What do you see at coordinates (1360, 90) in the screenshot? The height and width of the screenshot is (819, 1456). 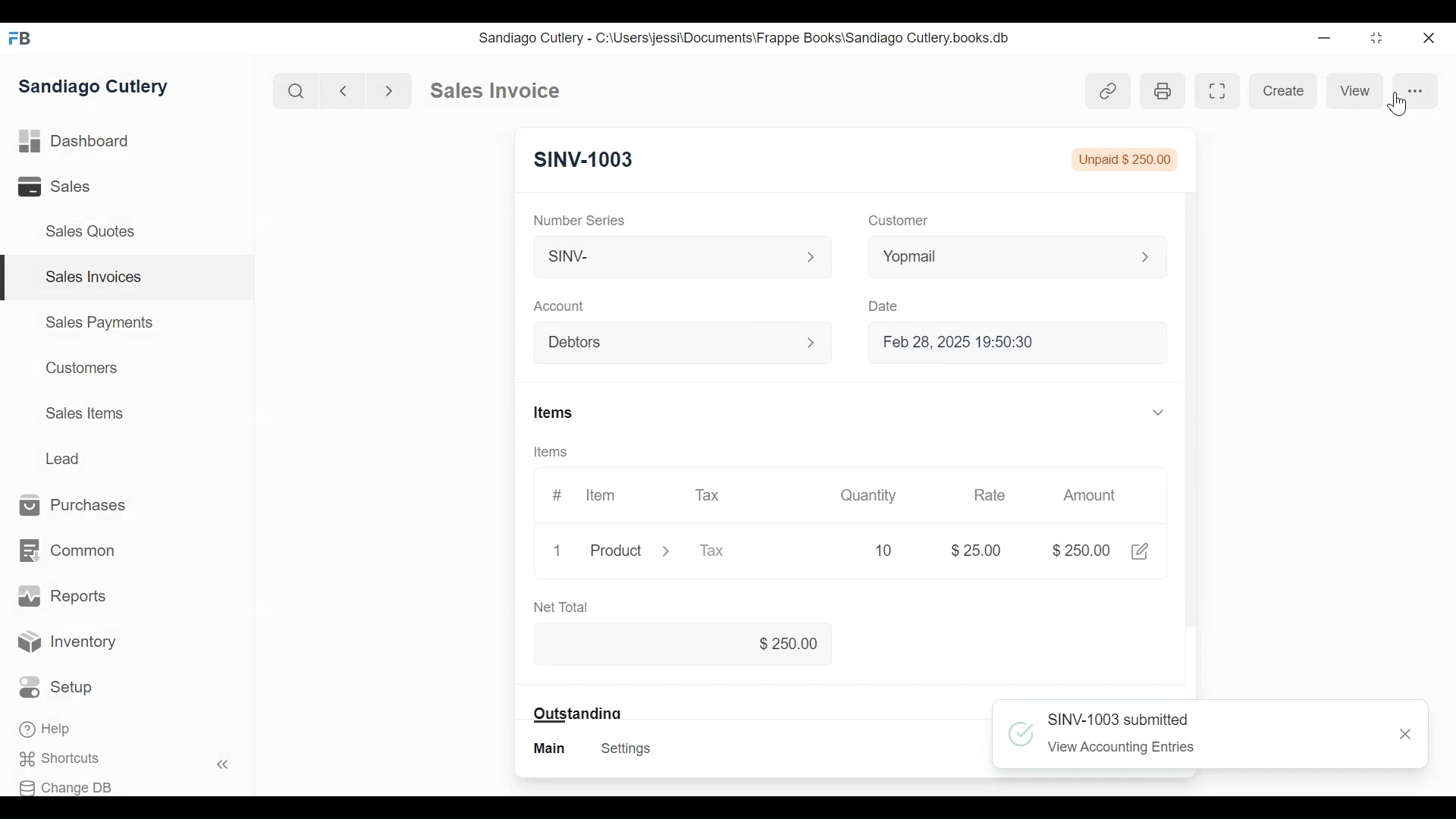 I see `view` at bounding box center [1360, 90].